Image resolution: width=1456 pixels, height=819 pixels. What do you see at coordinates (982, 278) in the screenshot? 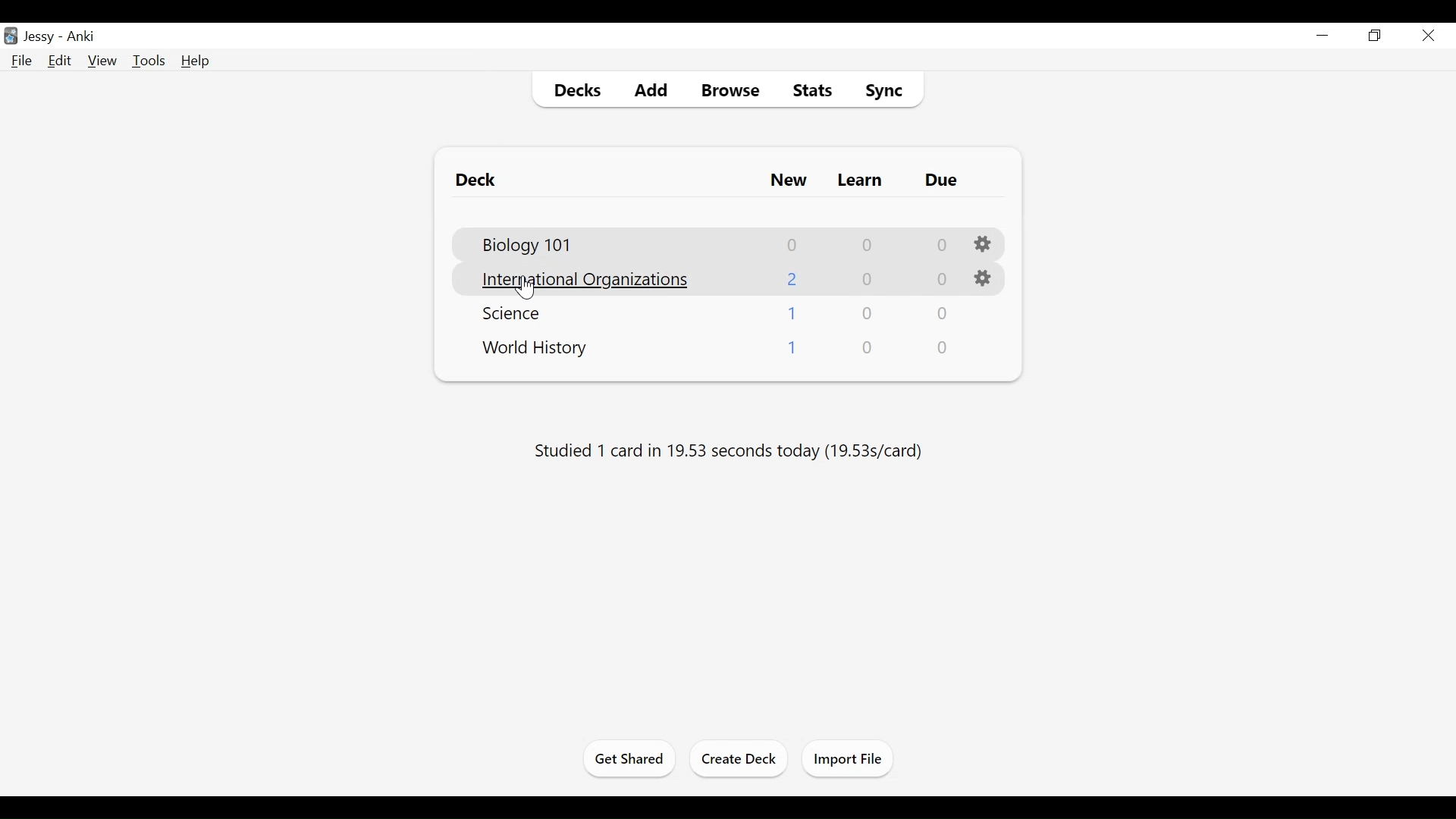
I see `Options` at bounding box center [982, 278].